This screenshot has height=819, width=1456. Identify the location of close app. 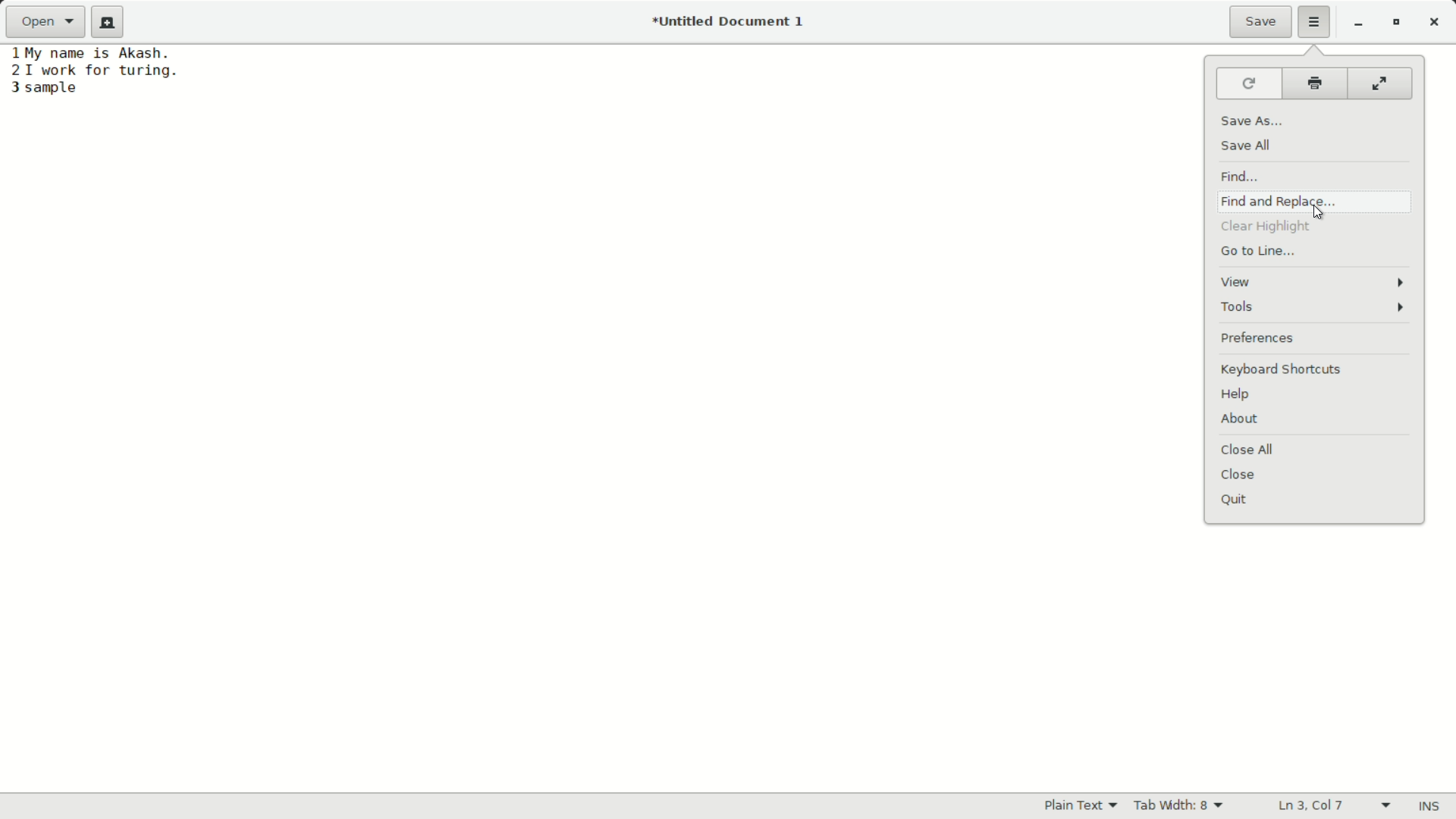
(1434, 22).